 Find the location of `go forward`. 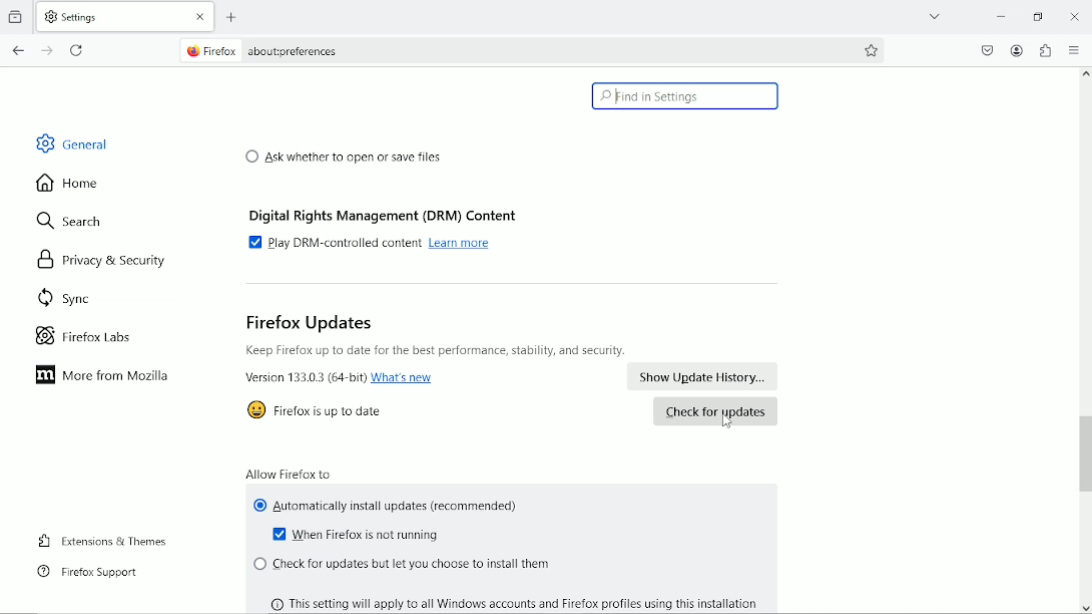

go forward is located at coordinates (47, 51).